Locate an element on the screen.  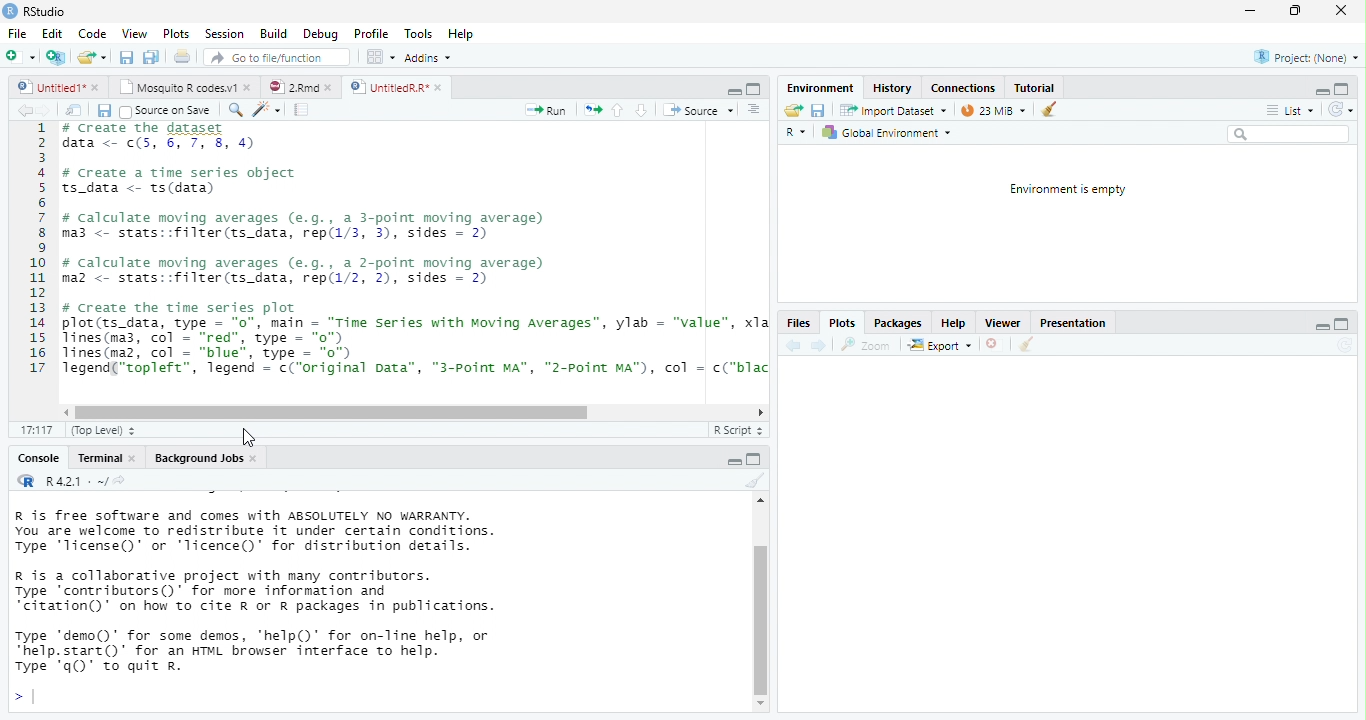
scrollbar up is located at coordinates (758, 503).